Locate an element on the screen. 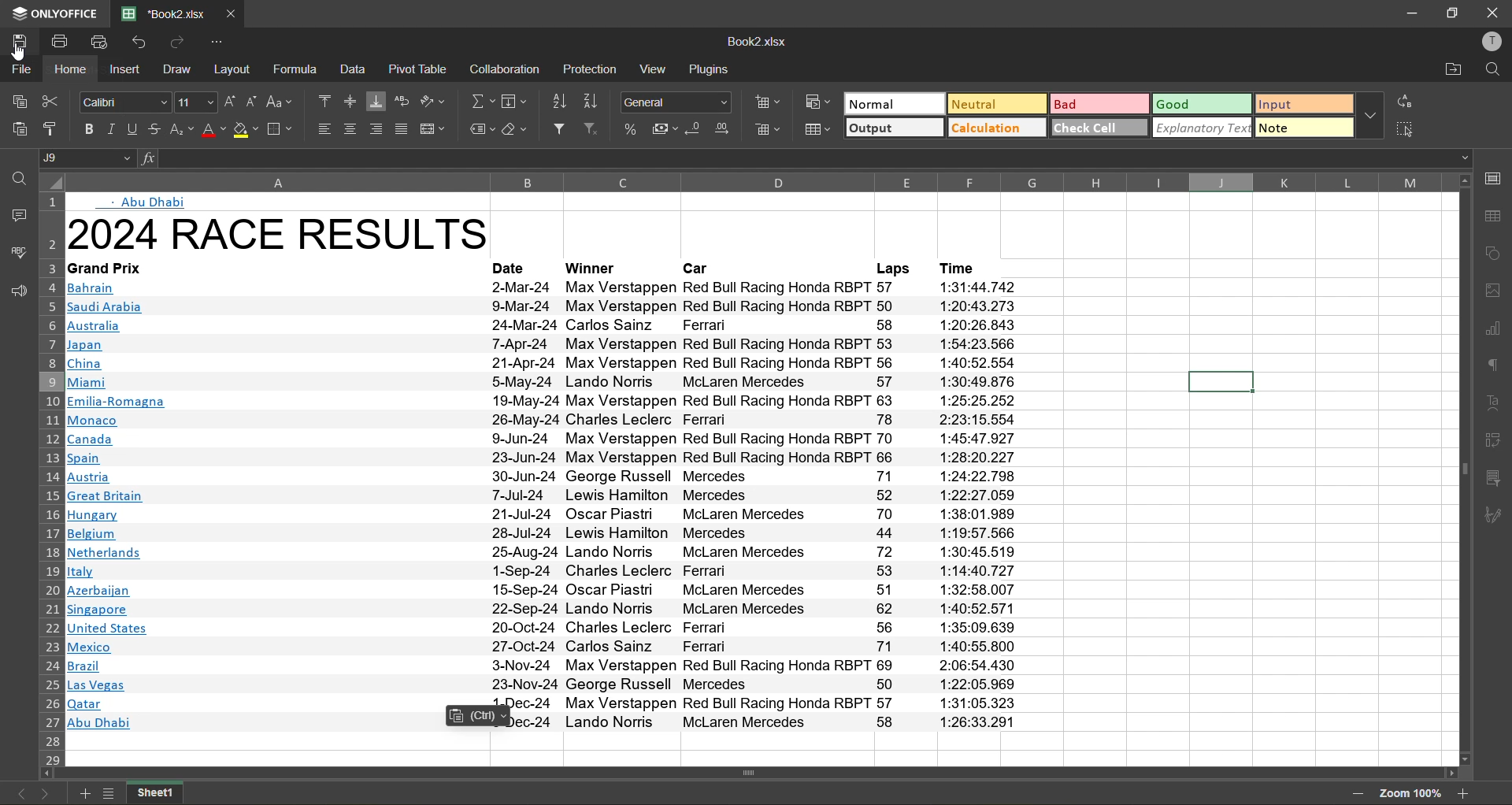 The image size is (1512, 805). pivot table is located at coordinates (1495, 443).